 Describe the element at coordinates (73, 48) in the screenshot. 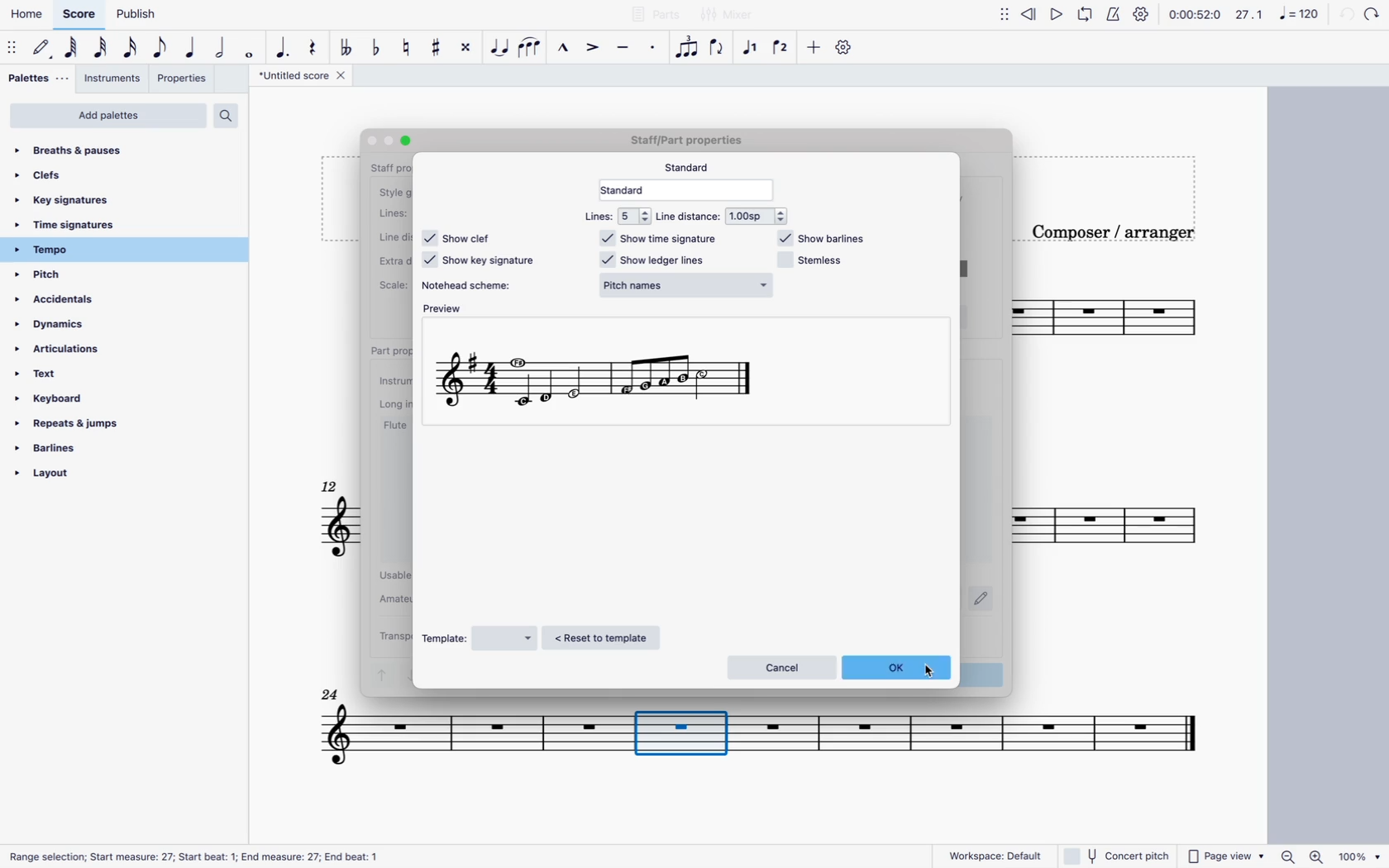

I see `64th note` at that location.